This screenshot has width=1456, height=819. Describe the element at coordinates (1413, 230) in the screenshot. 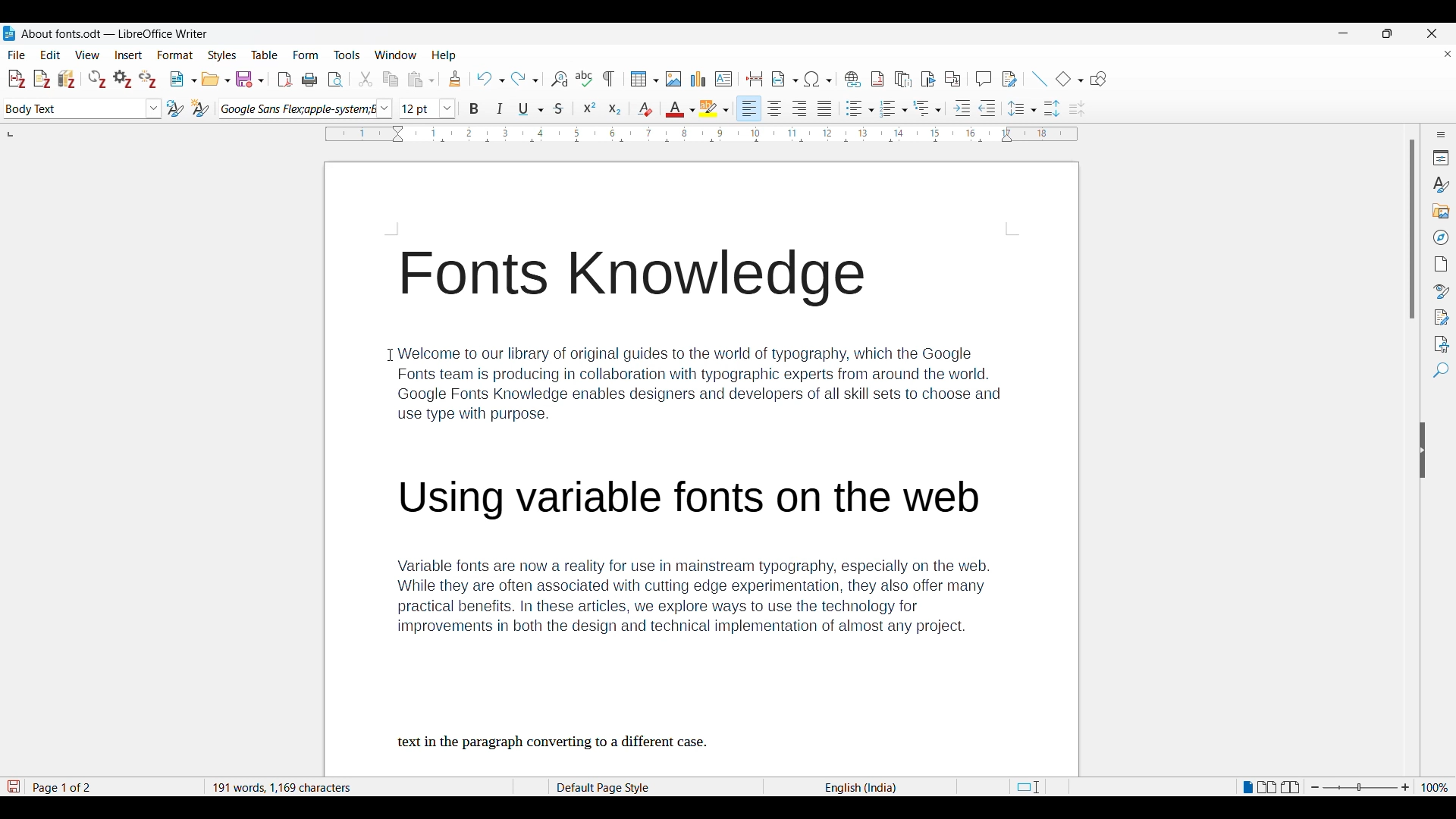

I see `Vertical slide bar` at that location.